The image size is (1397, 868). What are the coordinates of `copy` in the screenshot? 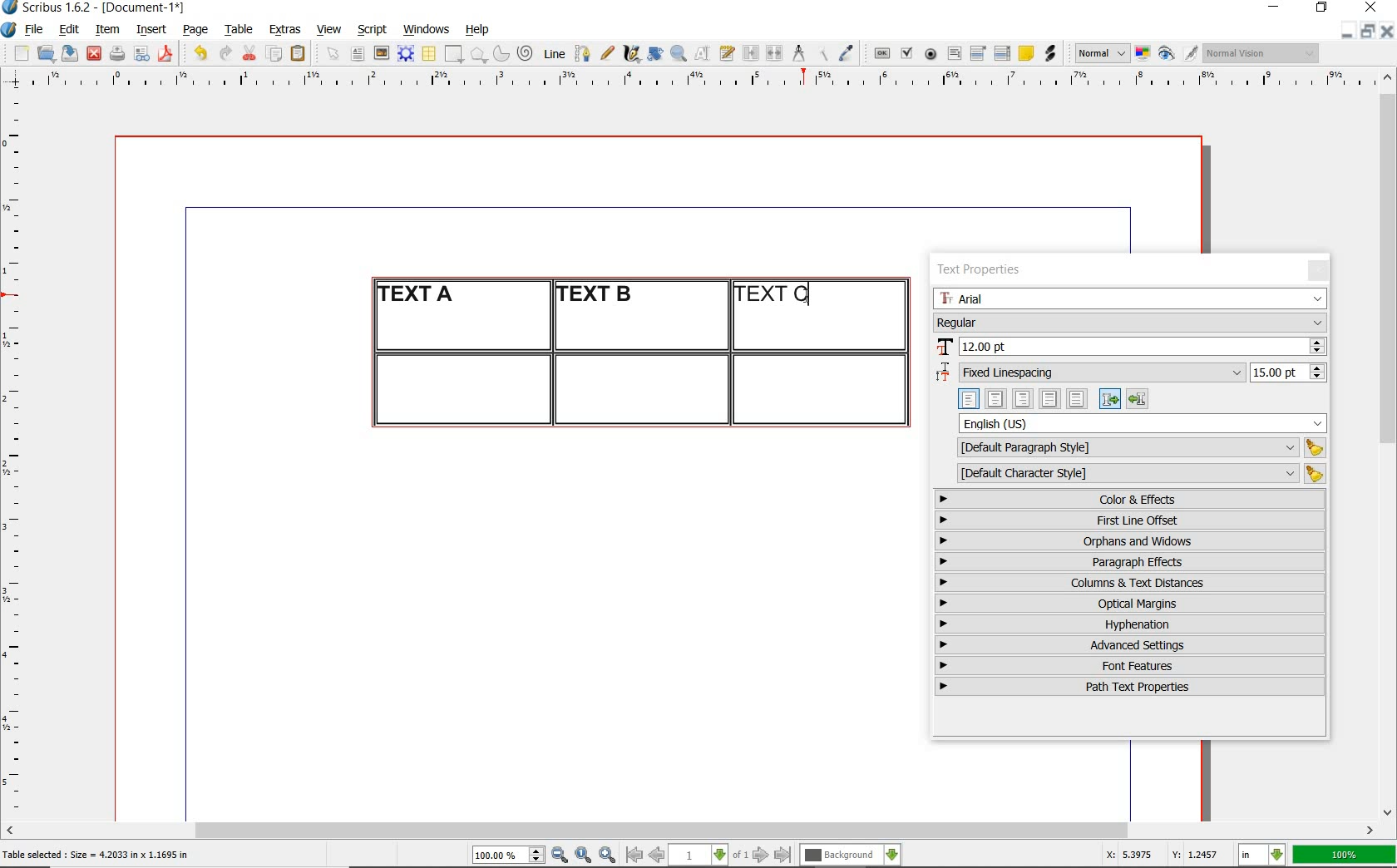 It's located at (275, 55).